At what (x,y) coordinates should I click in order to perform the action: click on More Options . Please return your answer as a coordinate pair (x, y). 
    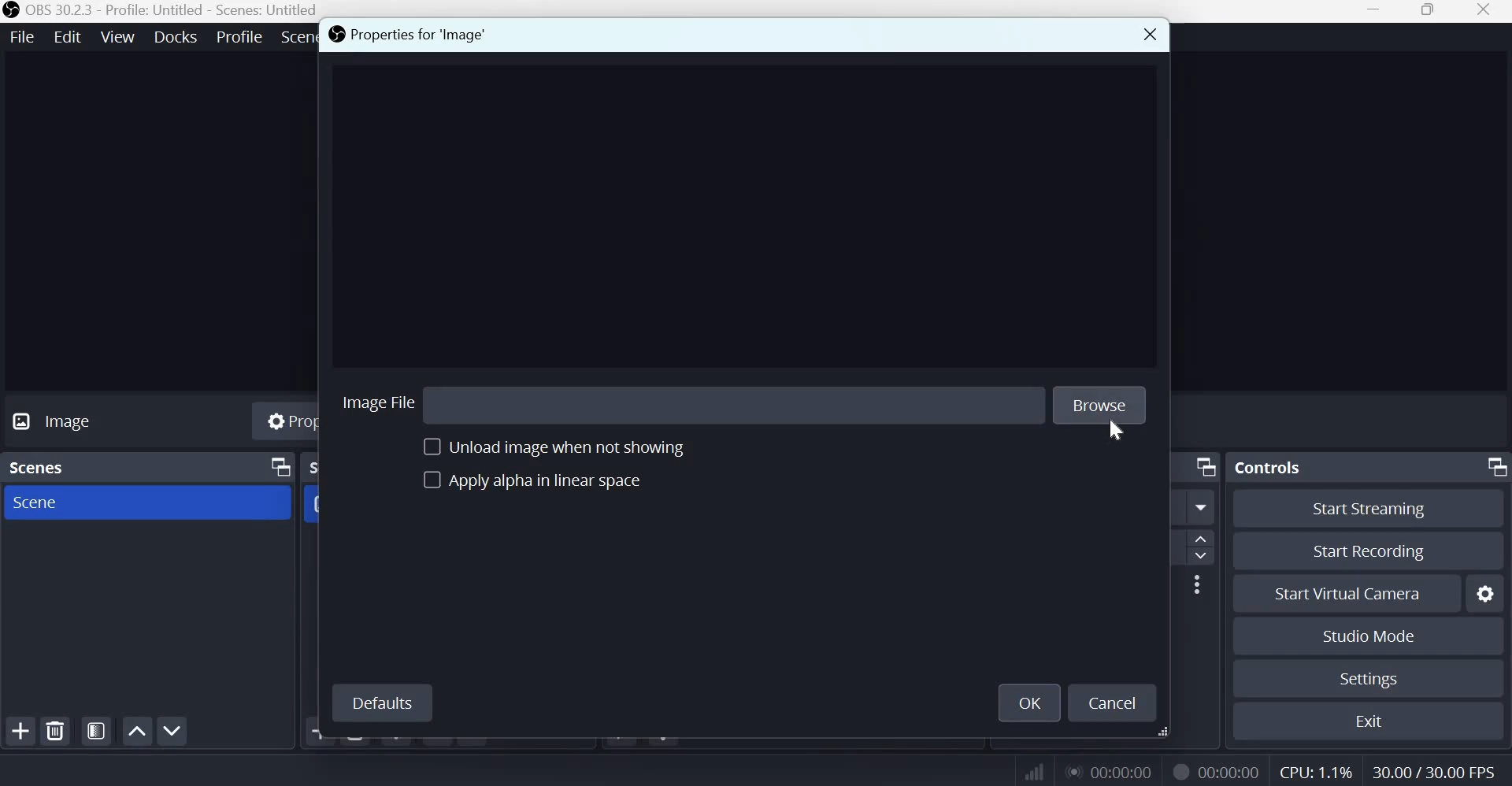
    Looking at the image, I should click on (1196, 584).